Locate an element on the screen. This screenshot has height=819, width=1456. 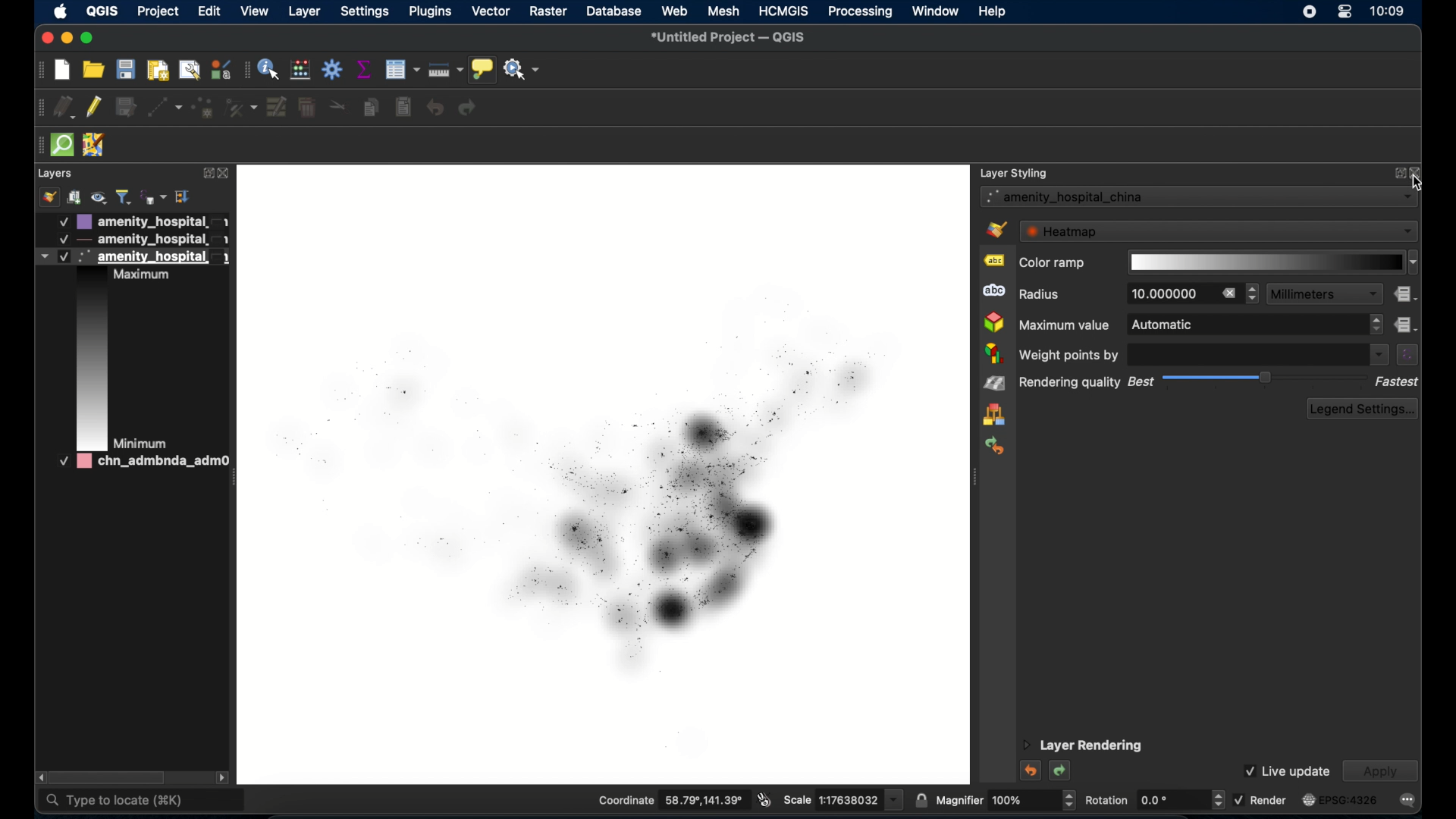
redo is located at coordinates (1062, 772).